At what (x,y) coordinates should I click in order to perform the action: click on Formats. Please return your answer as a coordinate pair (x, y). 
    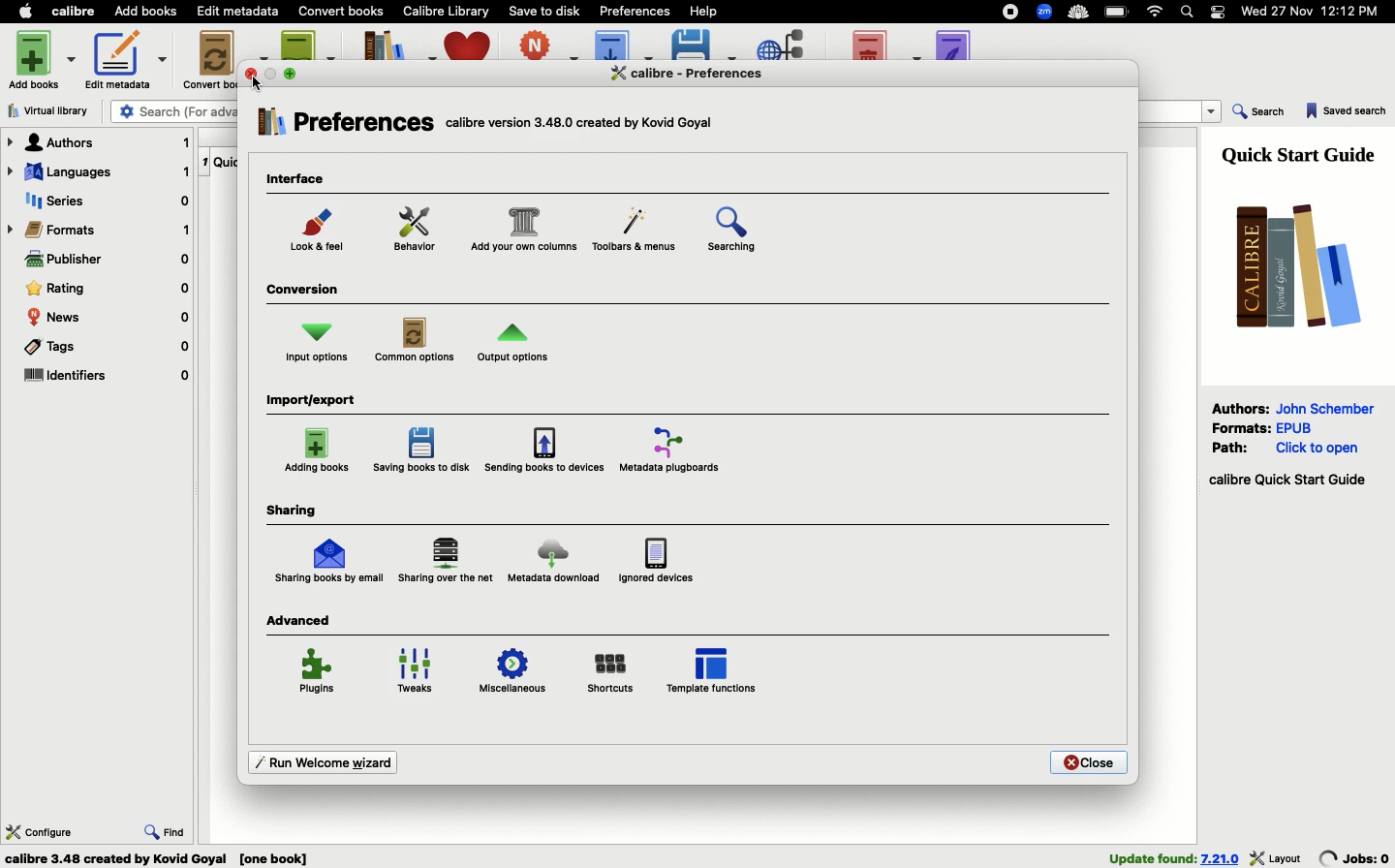
    Looking at the image, I should click on (100, 230).